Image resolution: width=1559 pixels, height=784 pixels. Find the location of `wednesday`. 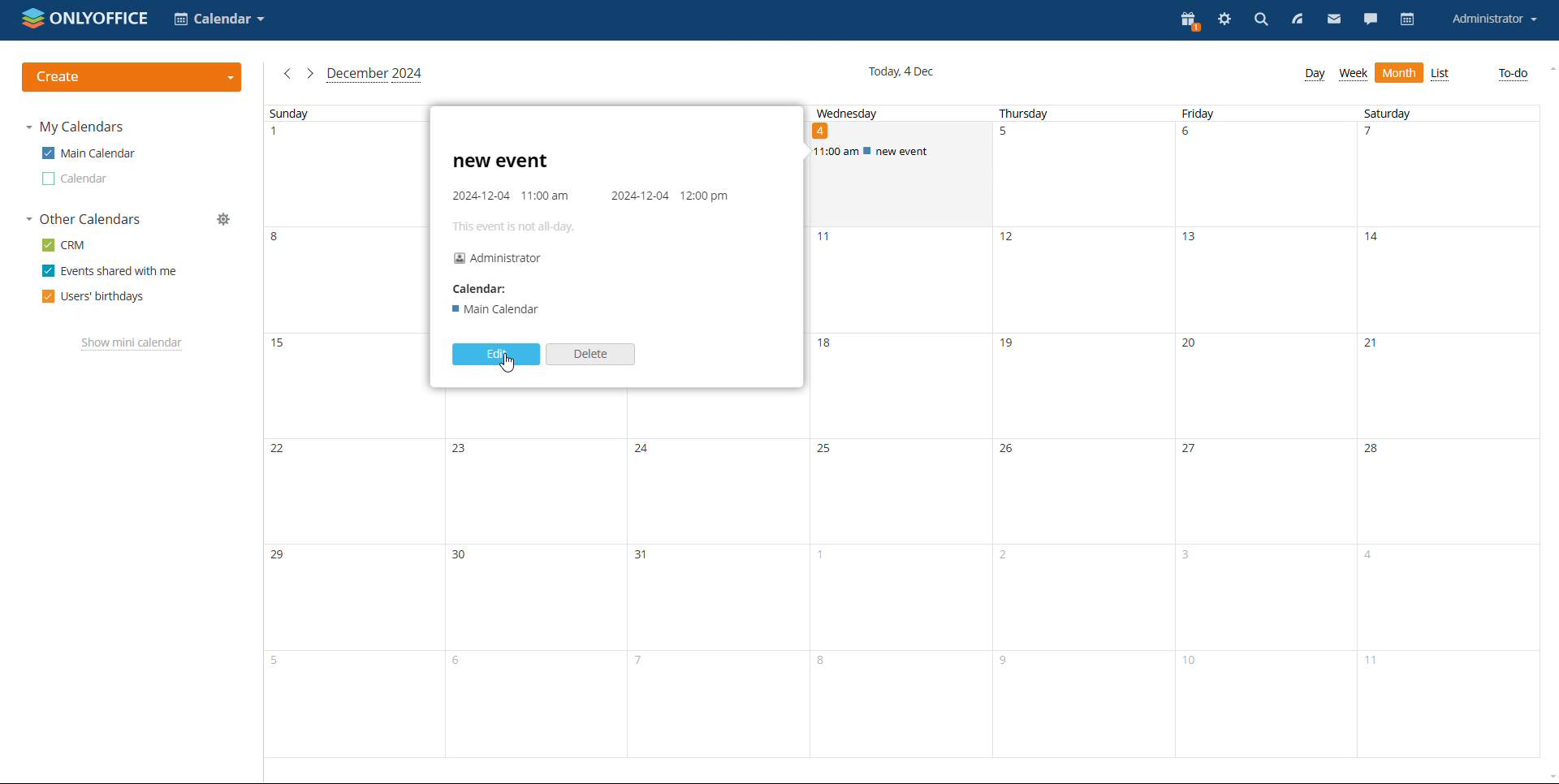

wednesday is located at coordinates (896, 464).